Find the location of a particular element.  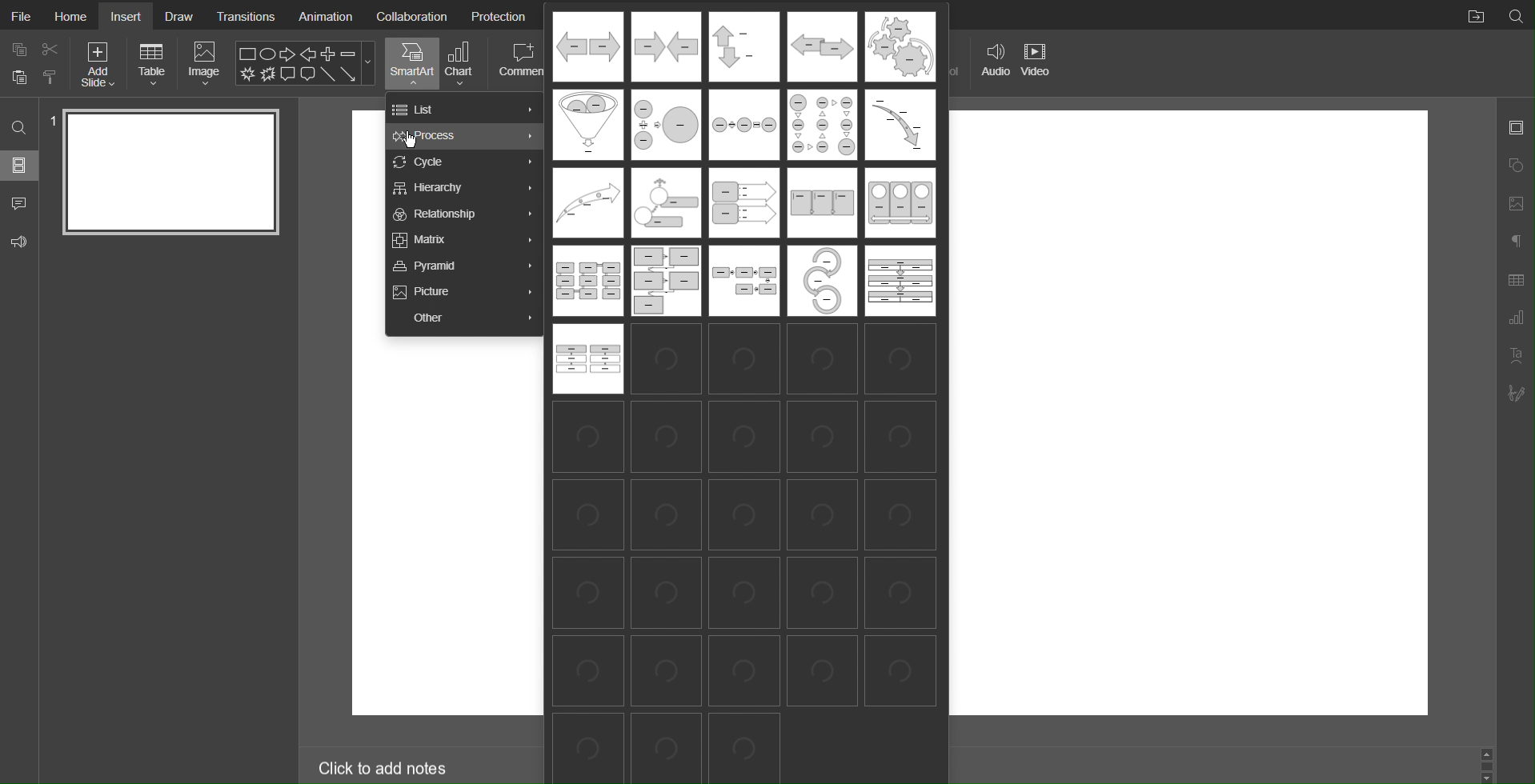

Shape Settings is located at coordinates (1515, 166).